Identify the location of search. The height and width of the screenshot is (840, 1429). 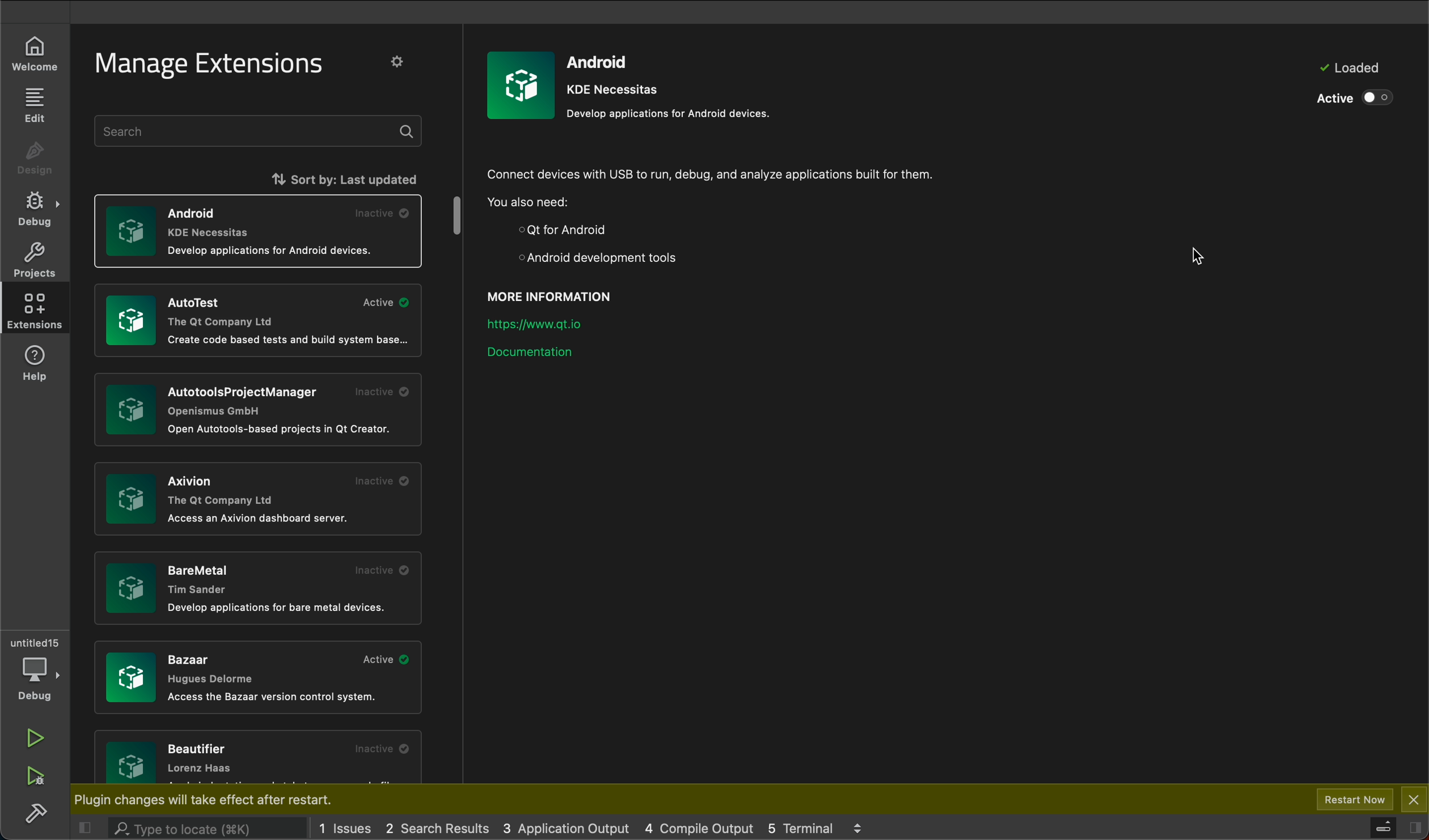
(192, 828).